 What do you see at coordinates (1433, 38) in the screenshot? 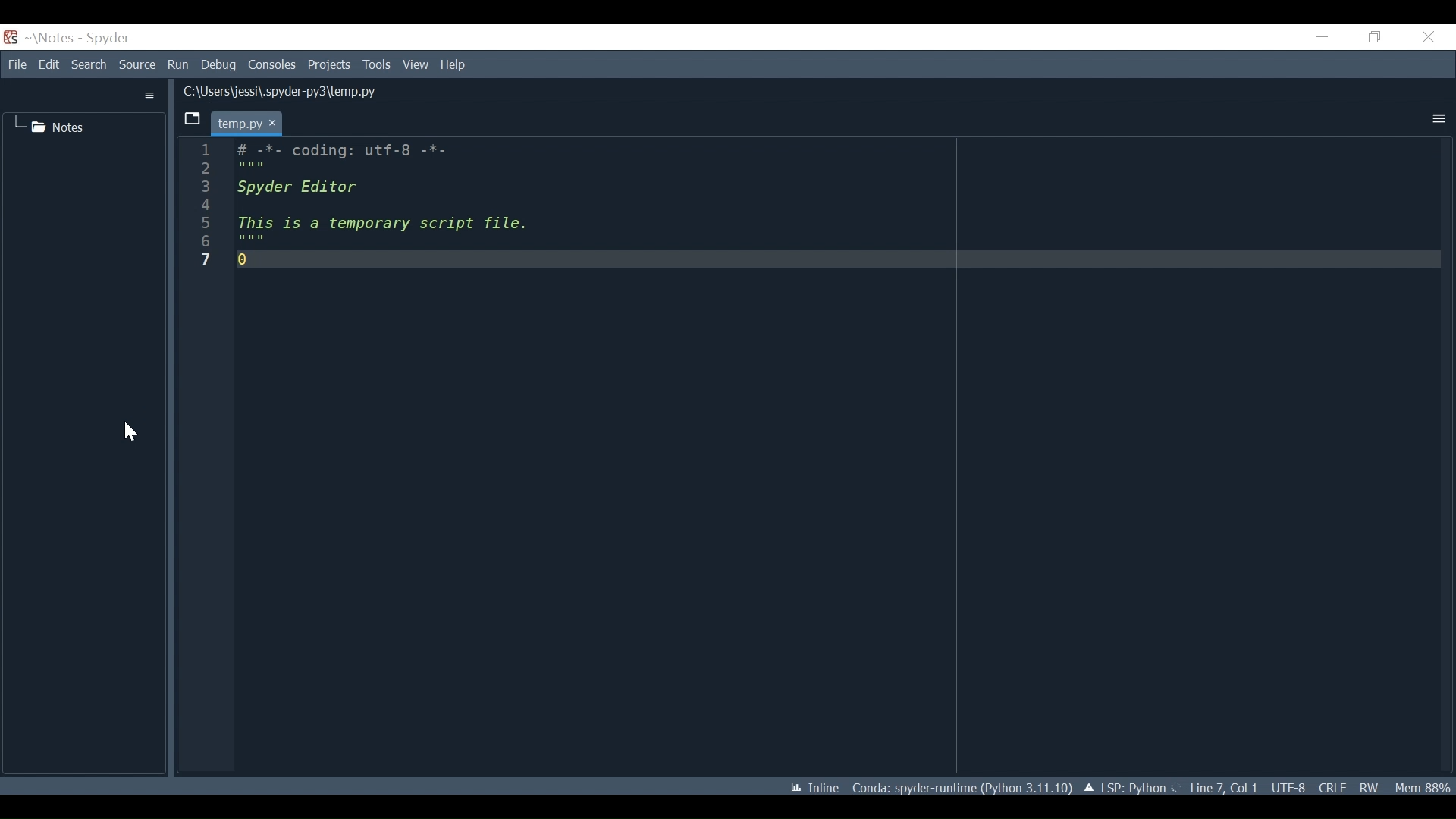
I see `Close` at bounding box center [1433, 38].